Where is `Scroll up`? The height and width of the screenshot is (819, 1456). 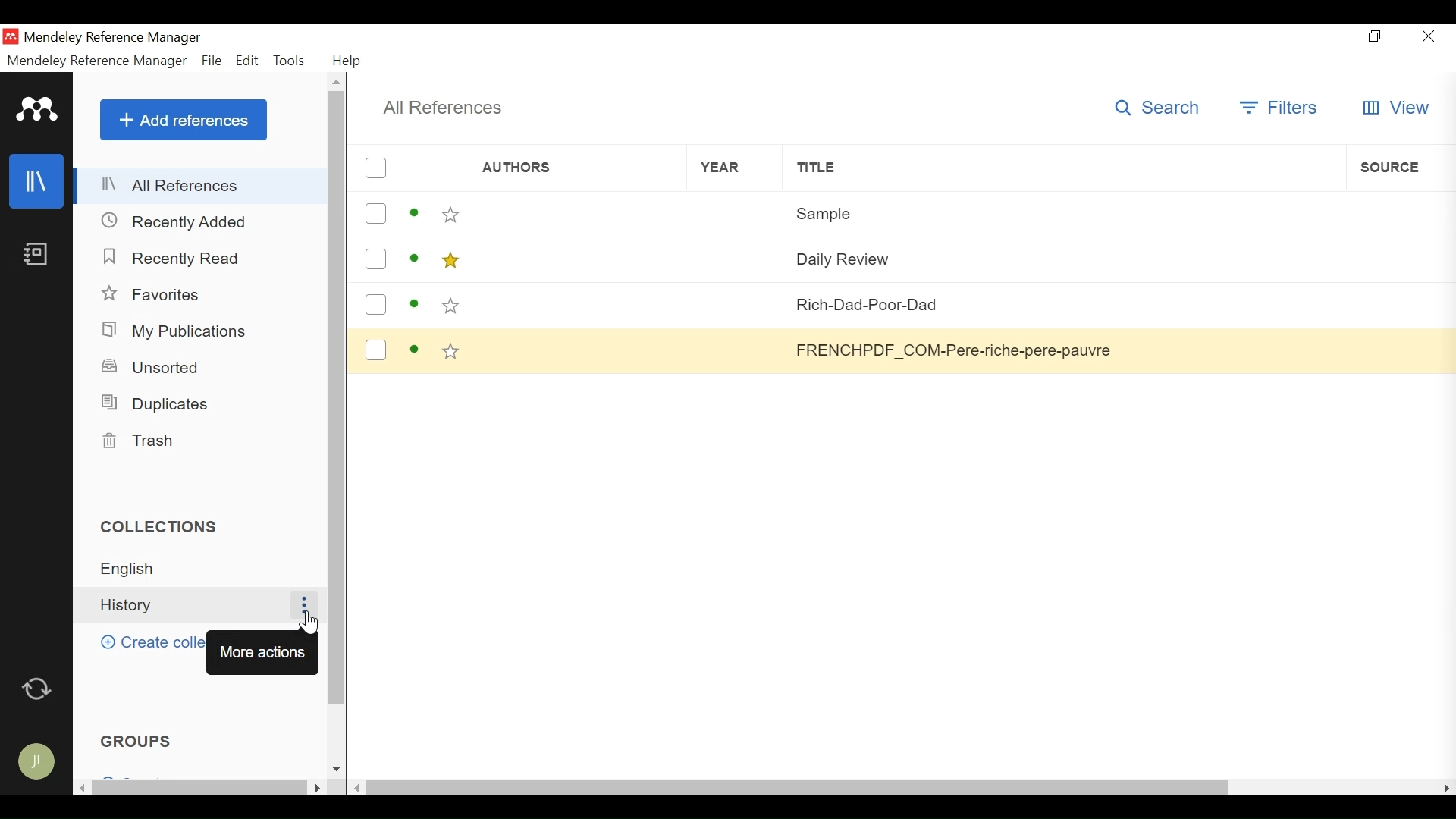 Scroll up is located at coordinates (337, 81).